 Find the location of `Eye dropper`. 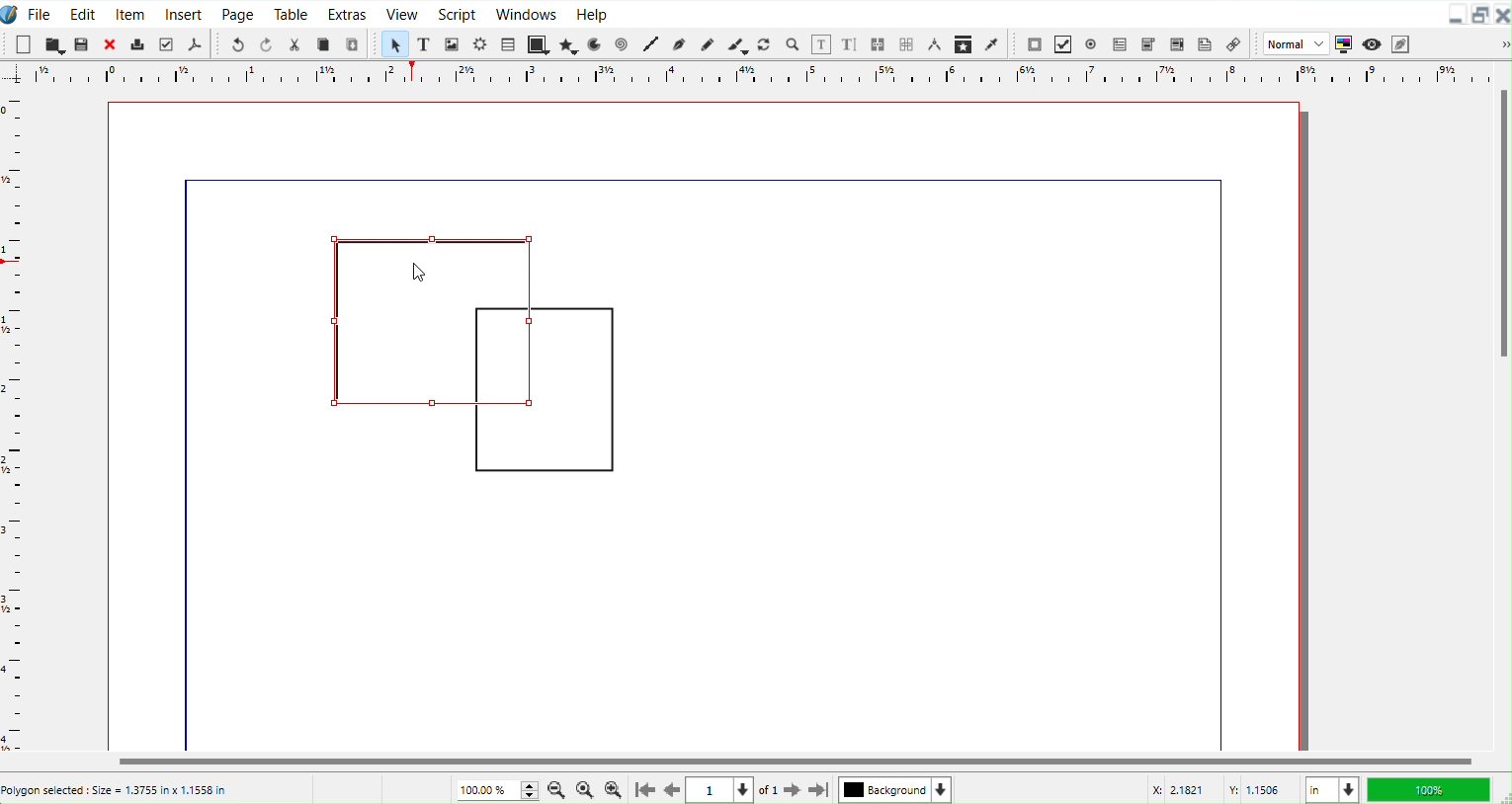

Eye dropper is located at coordinates (992, 43).